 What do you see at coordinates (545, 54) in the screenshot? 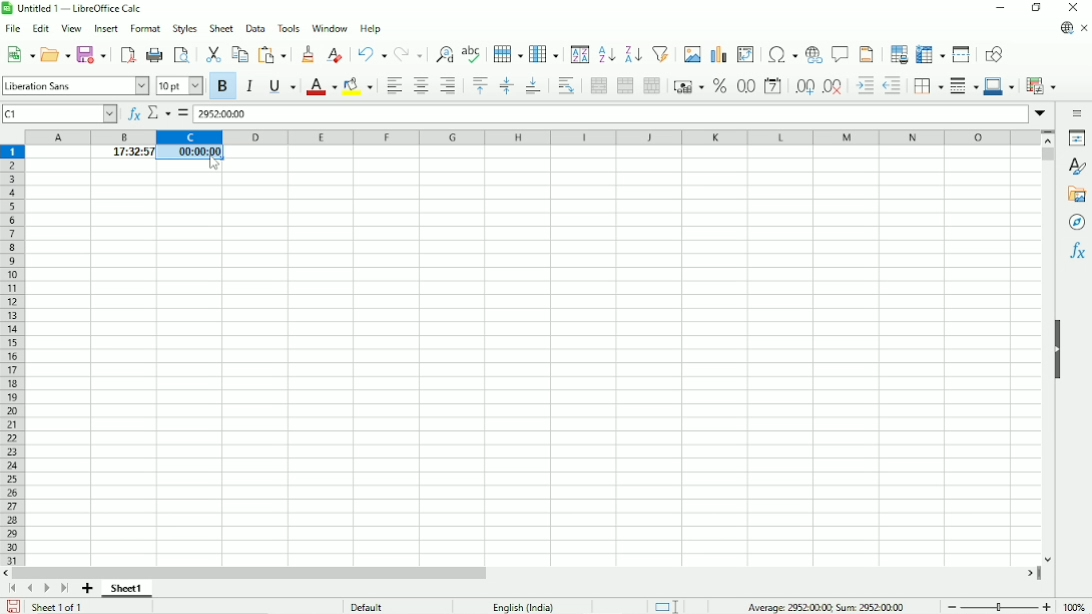
I see `Columns` at bounding box center [545, 54].